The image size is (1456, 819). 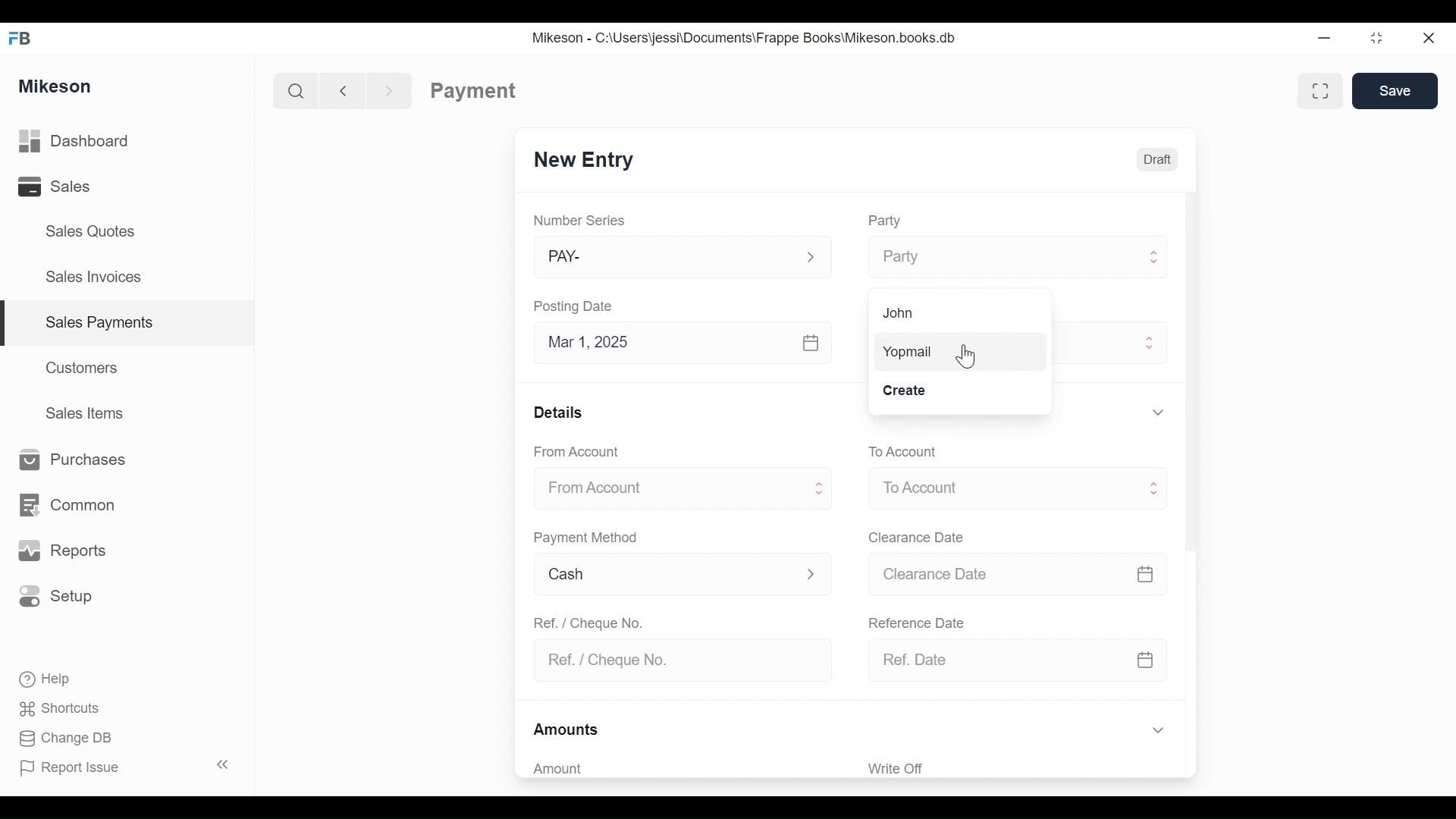 What do you see at coordinates (1019, 256) in the screenshot?
I see `Party` at bounding box center [1019, 256].